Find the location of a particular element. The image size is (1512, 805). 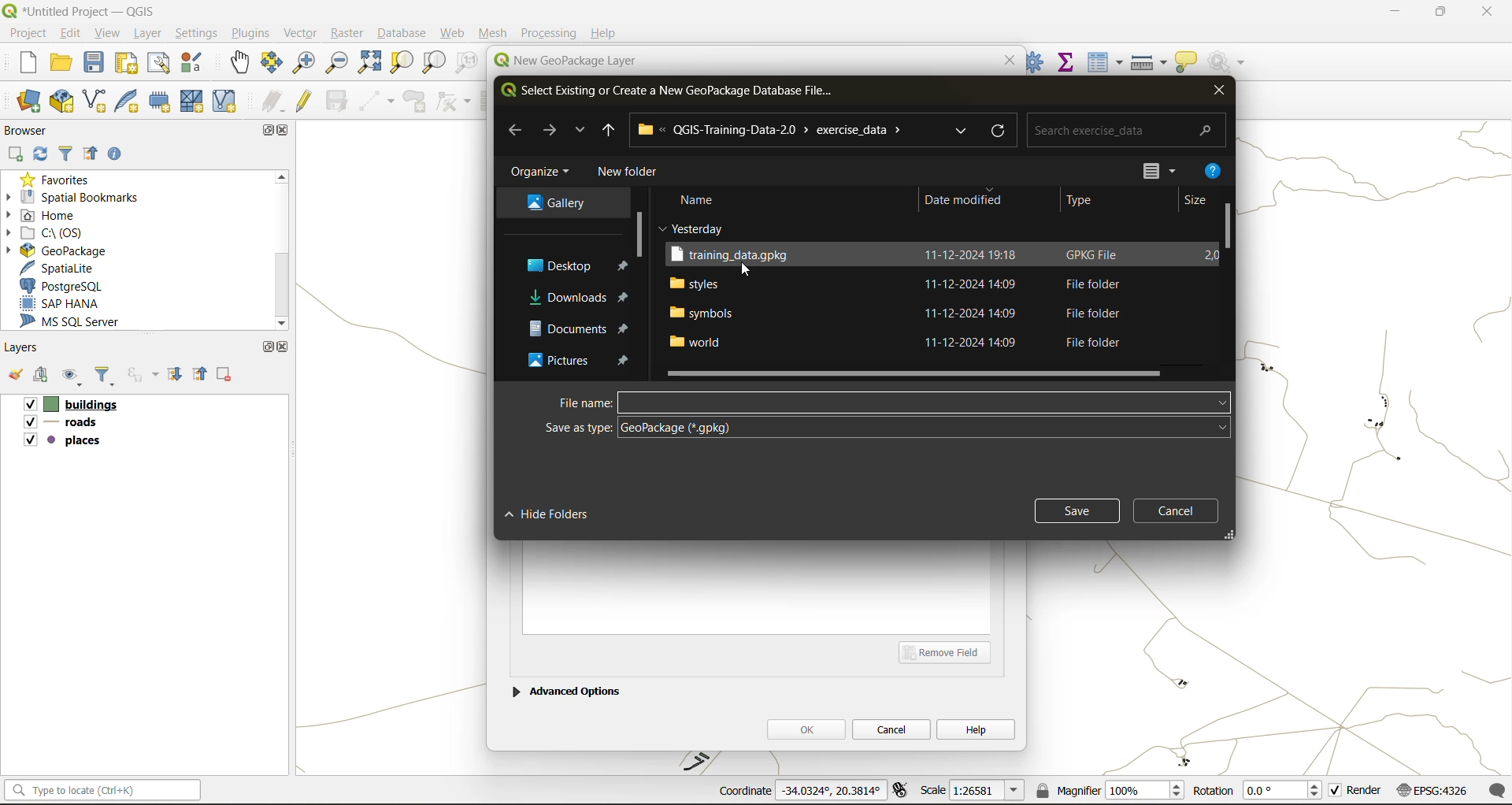

expand all is located at coordinates (177, 375).